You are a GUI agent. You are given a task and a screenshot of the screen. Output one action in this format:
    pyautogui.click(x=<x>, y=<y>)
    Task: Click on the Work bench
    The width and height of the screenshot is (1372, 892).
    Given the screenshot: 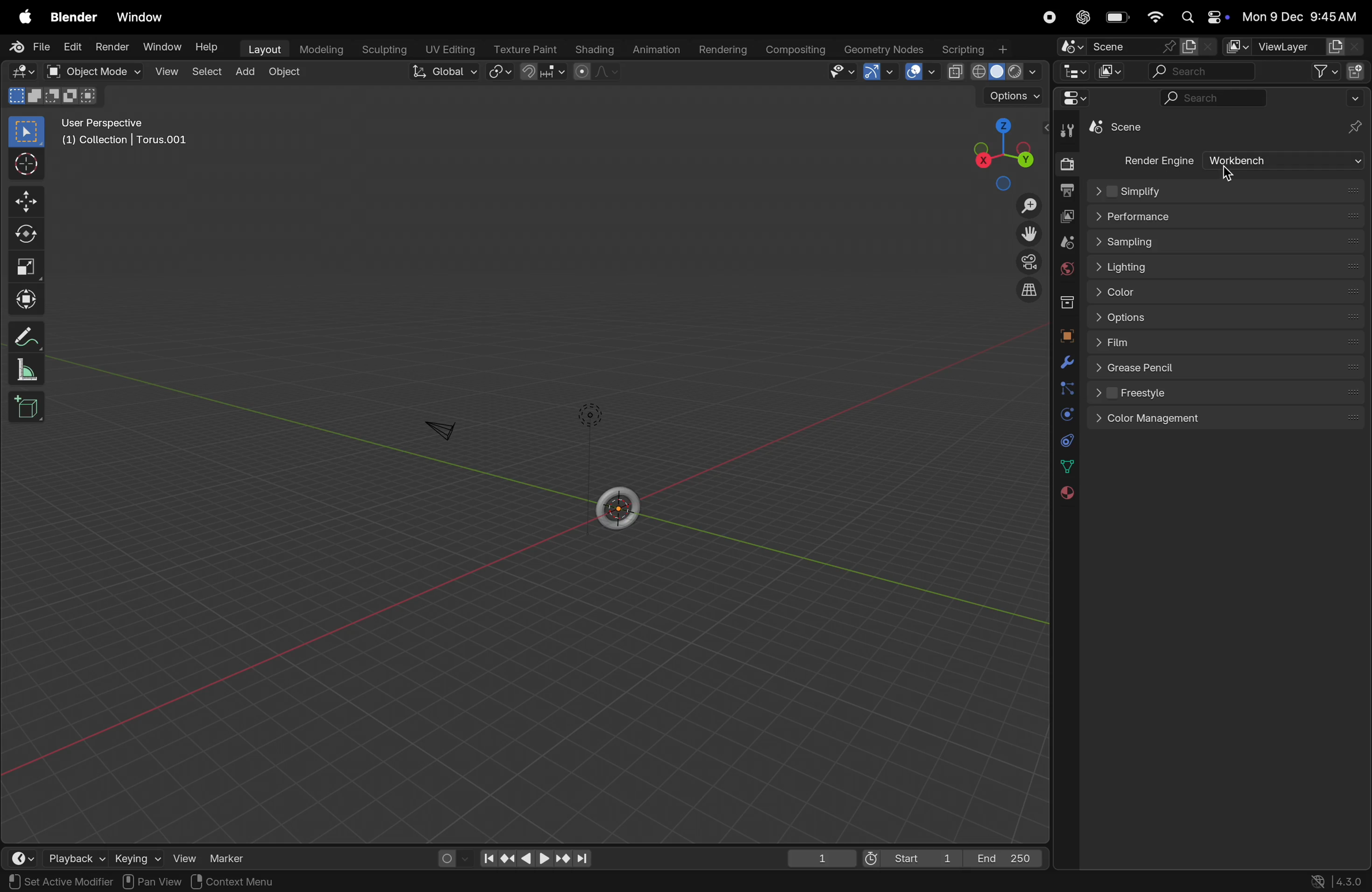 What is the action you would take?
    pyautogui.click(x=1285, y=161)
    